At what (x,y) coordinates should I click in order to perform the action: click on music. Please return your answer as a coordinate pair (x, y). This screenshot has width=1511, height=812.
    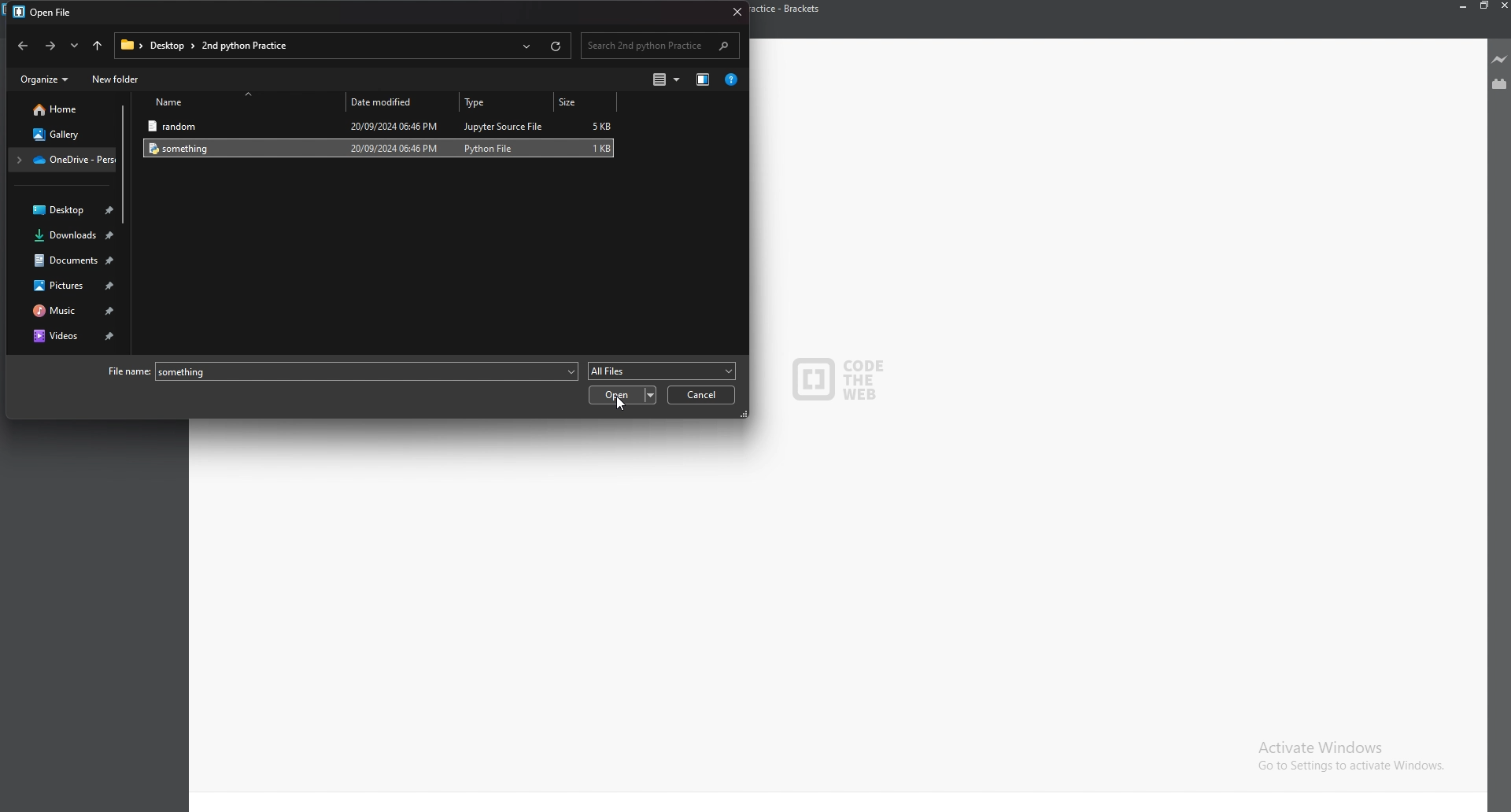
    Looking at the image, I should click on (62, 311).